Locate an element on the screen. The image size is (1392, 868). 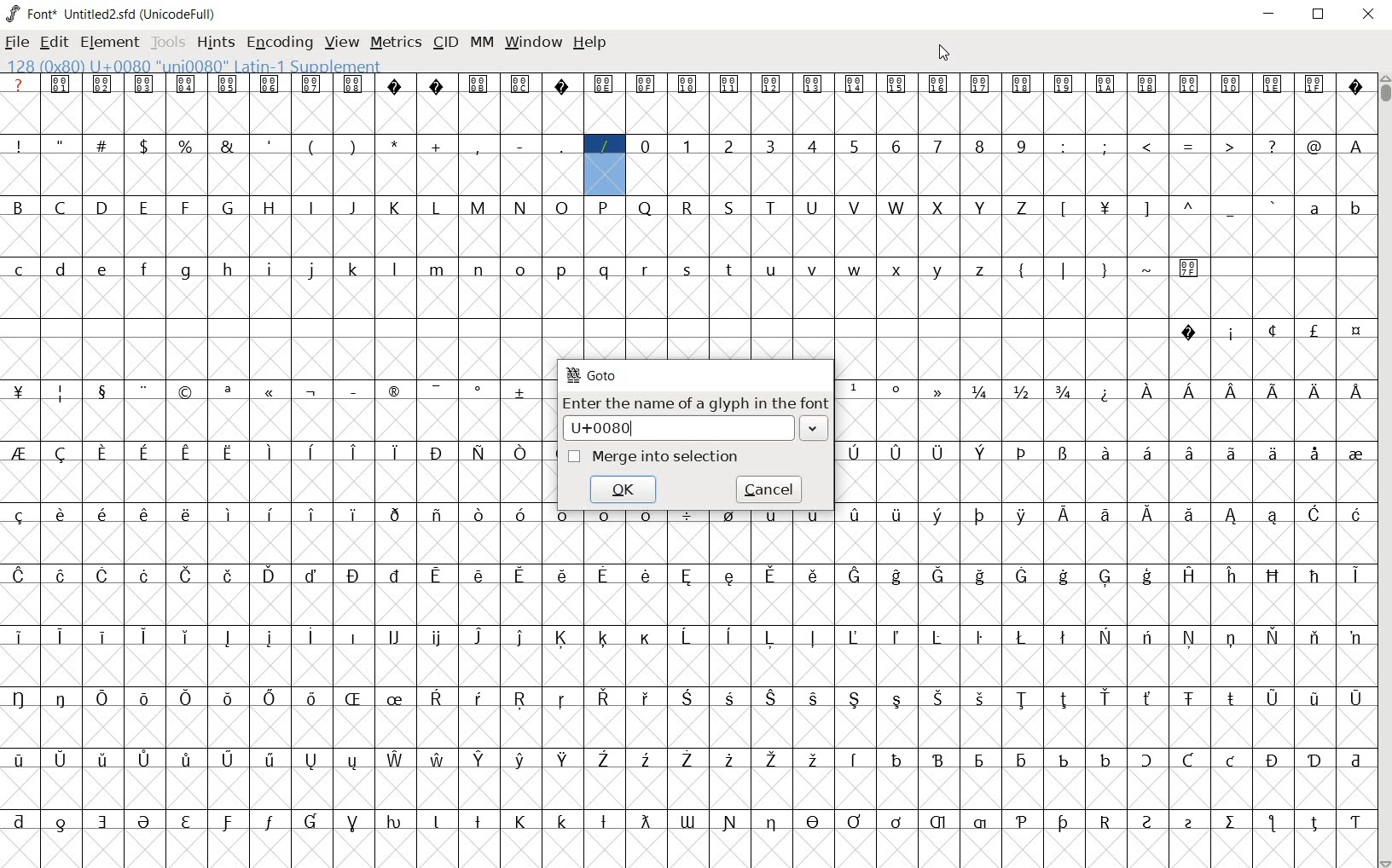
glyph is located at coordinates (564, 759).